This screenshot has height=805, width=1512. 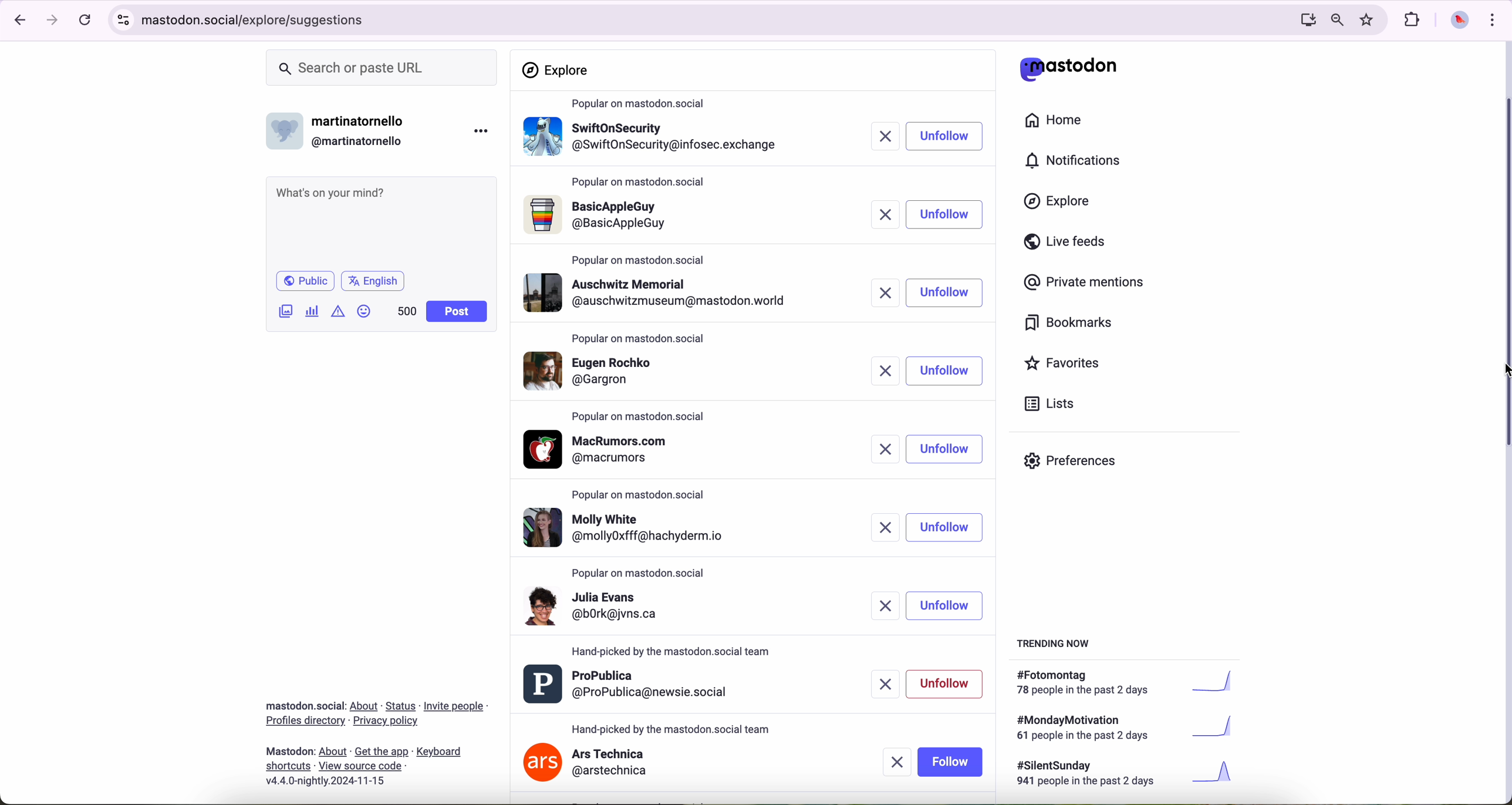 I want to click on public, so click(x=304, y=281).